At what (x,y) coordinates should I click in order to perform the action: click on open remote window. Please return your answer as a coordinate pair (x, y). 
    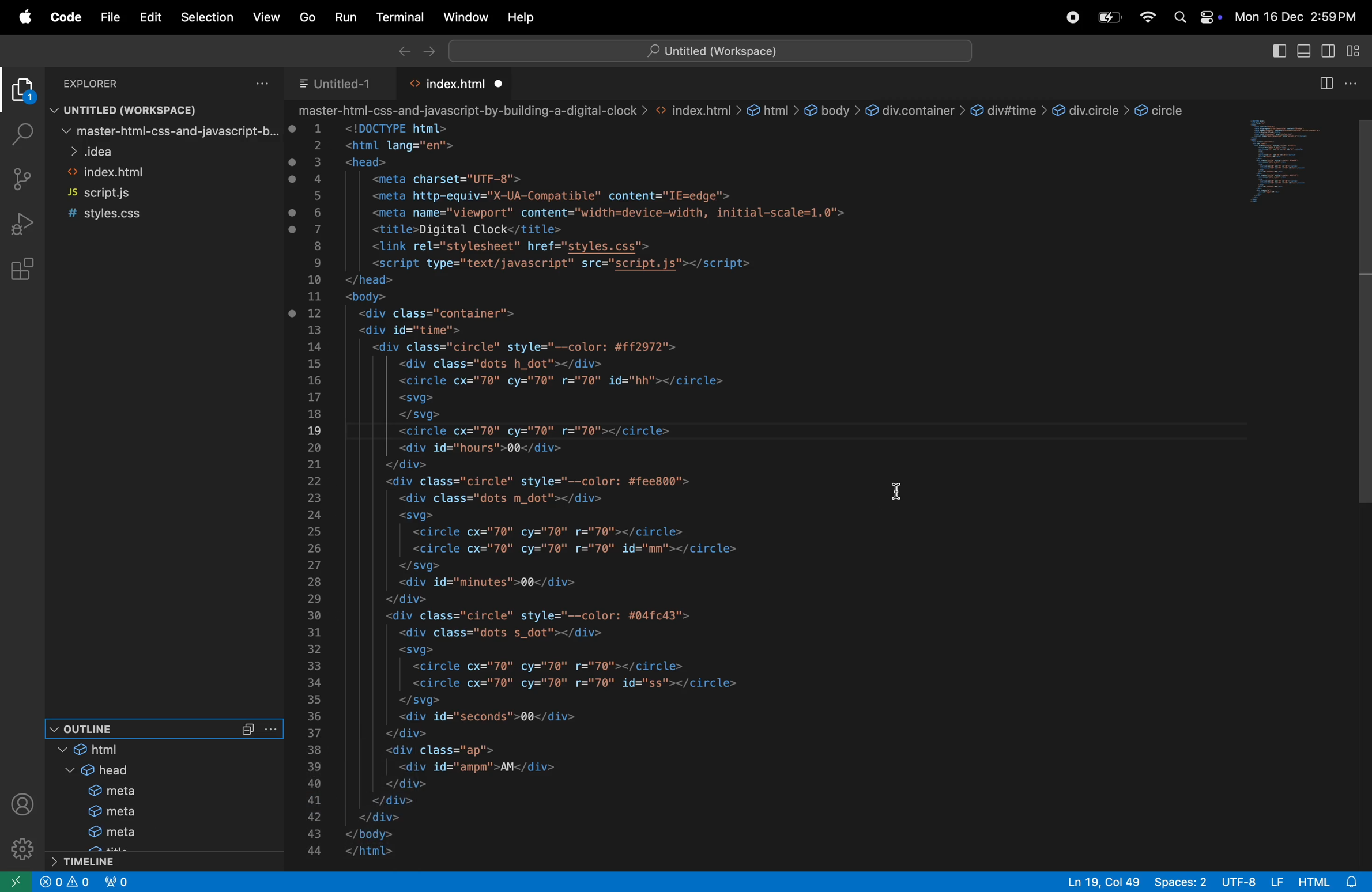
    Looking at the image, I should click on (14, 883).